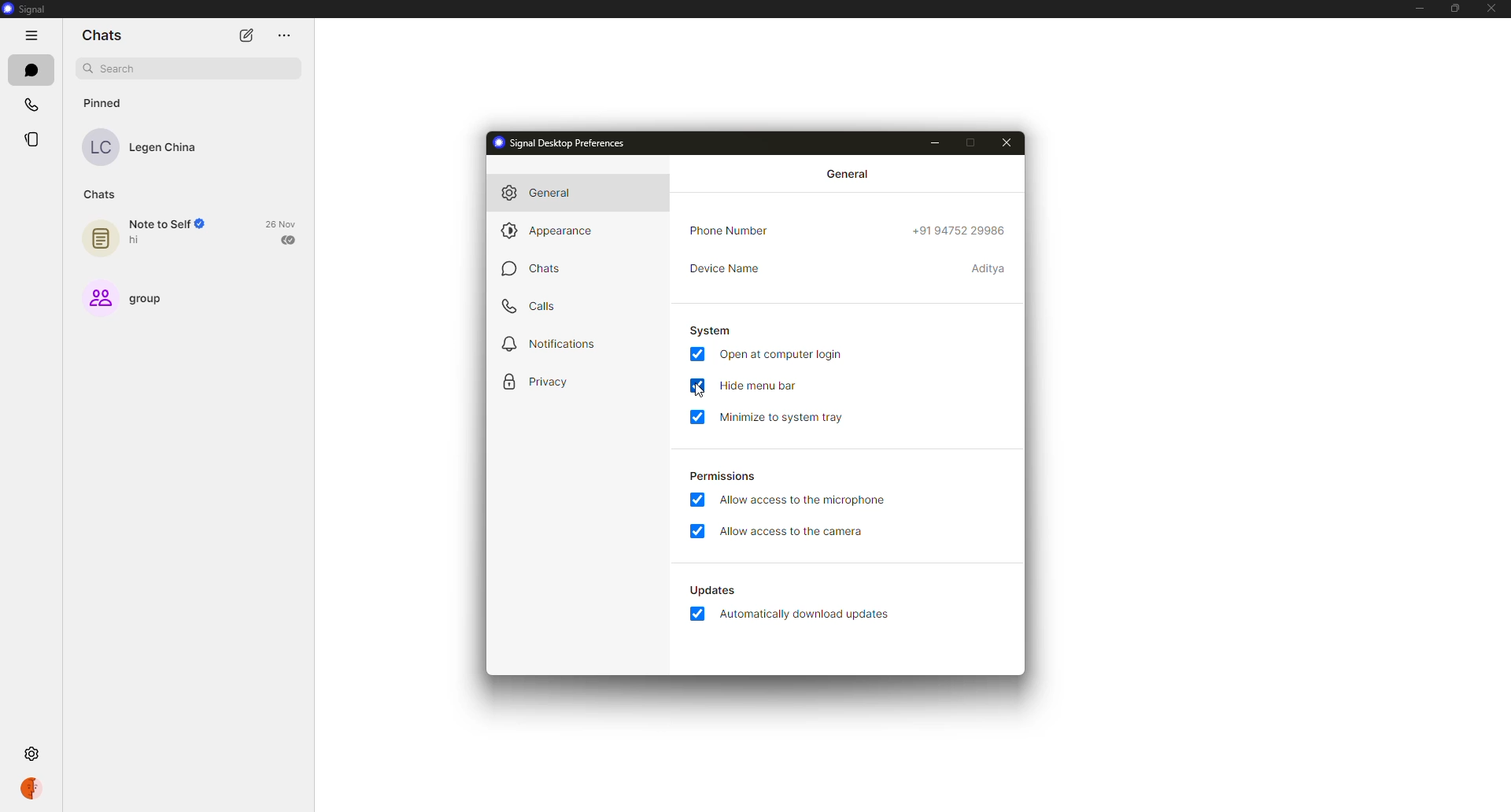  I want to click on close, so click(1491, 8).